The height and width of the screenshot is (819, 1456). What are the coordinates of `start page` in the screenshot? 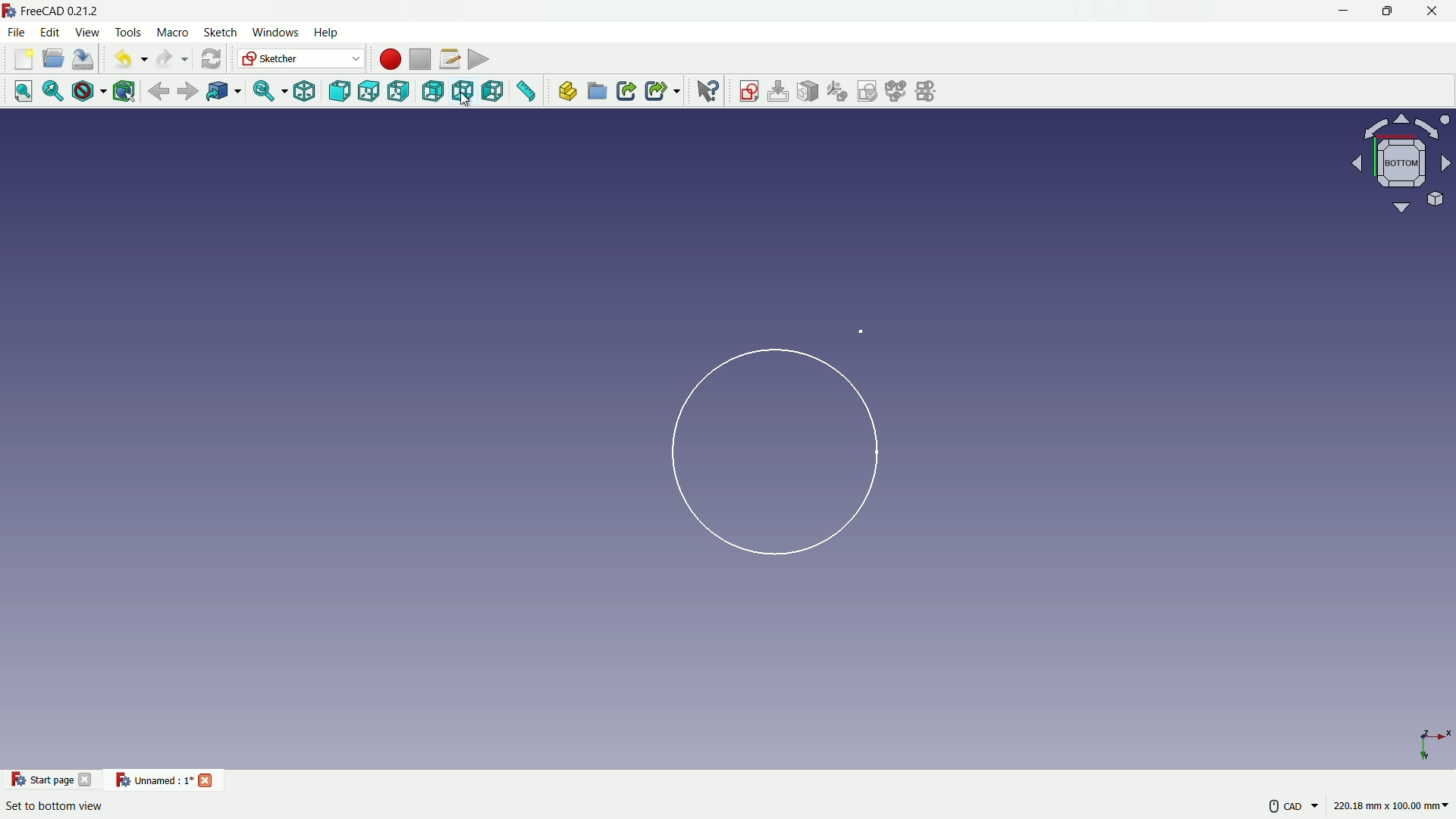 It's located at (39, 780).